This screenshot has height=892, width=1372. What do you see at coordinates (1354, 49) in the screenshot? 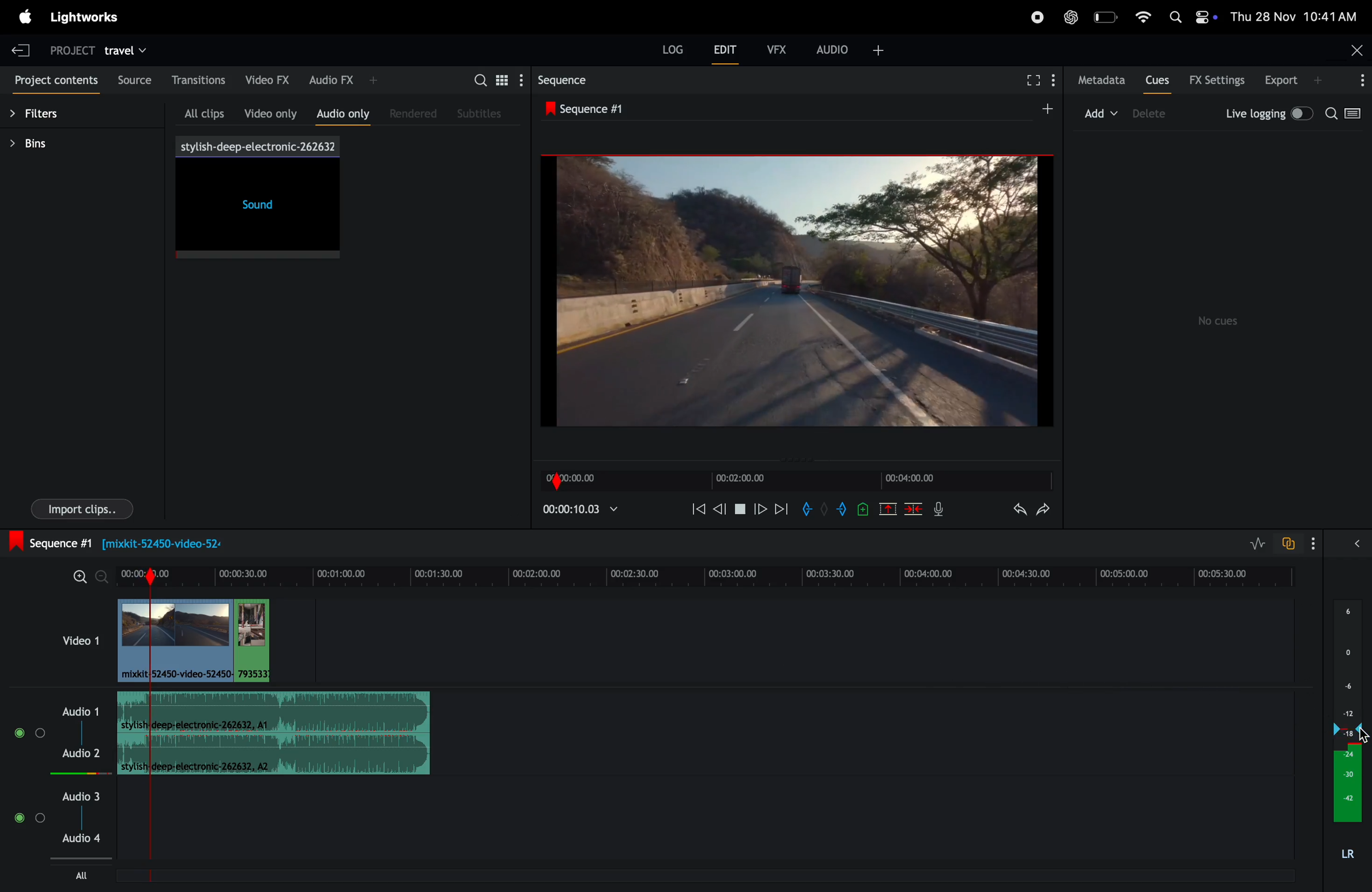
I see `close` at bounding box center [1354, 49].